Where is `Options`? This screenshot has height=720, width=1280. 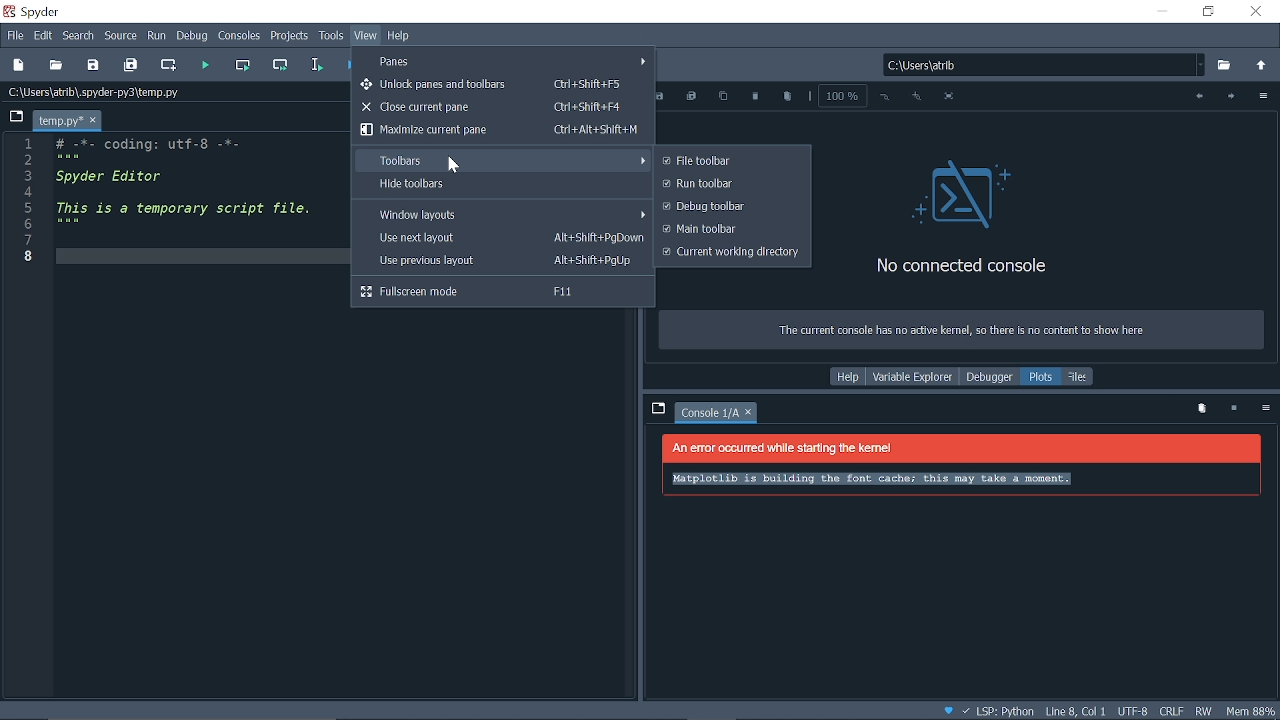
Options is located at coordinates (1262, 98).